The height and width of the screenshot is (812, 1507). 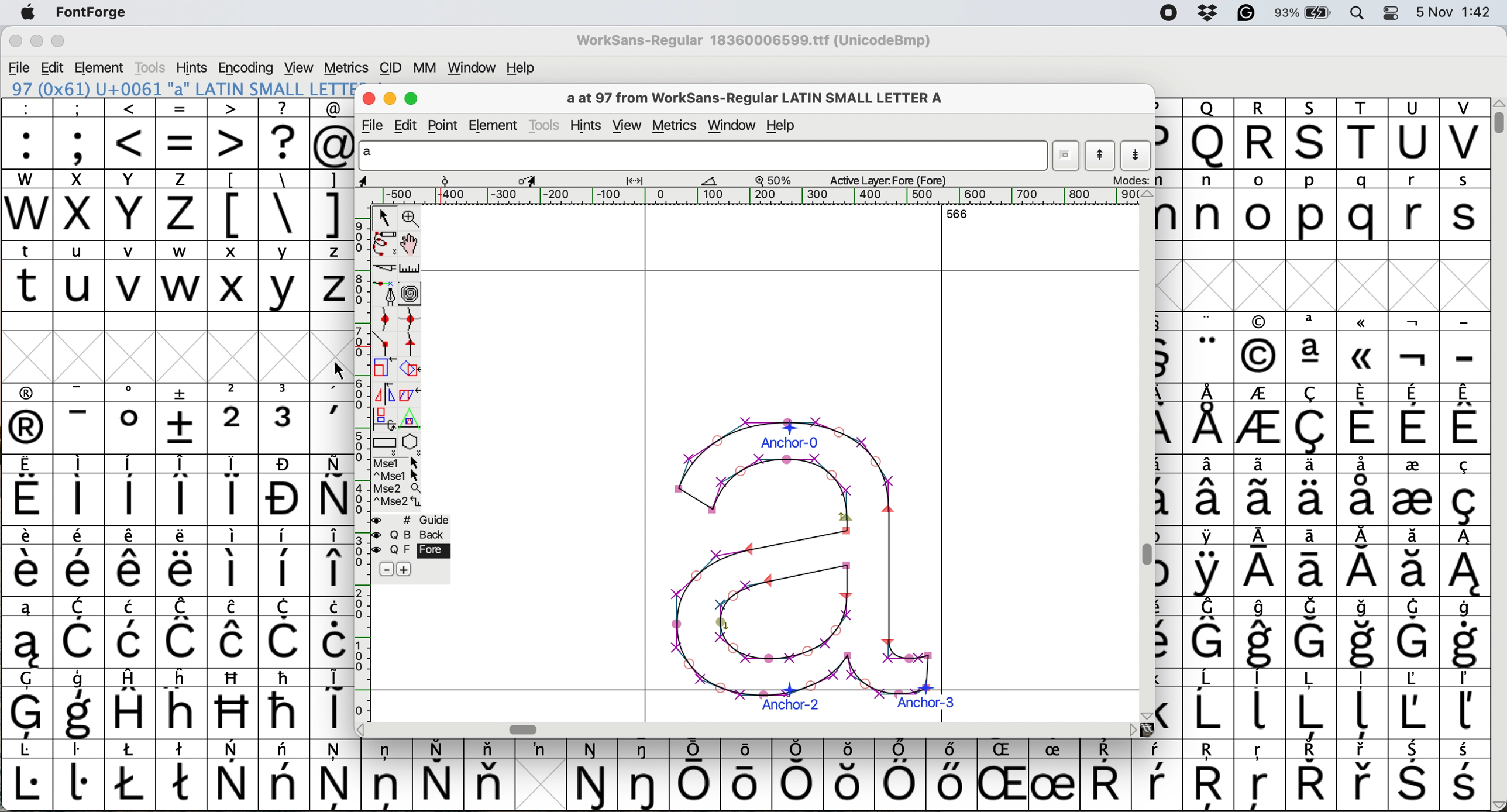 I want to click on show next letter, so click(x=1141, y=155).